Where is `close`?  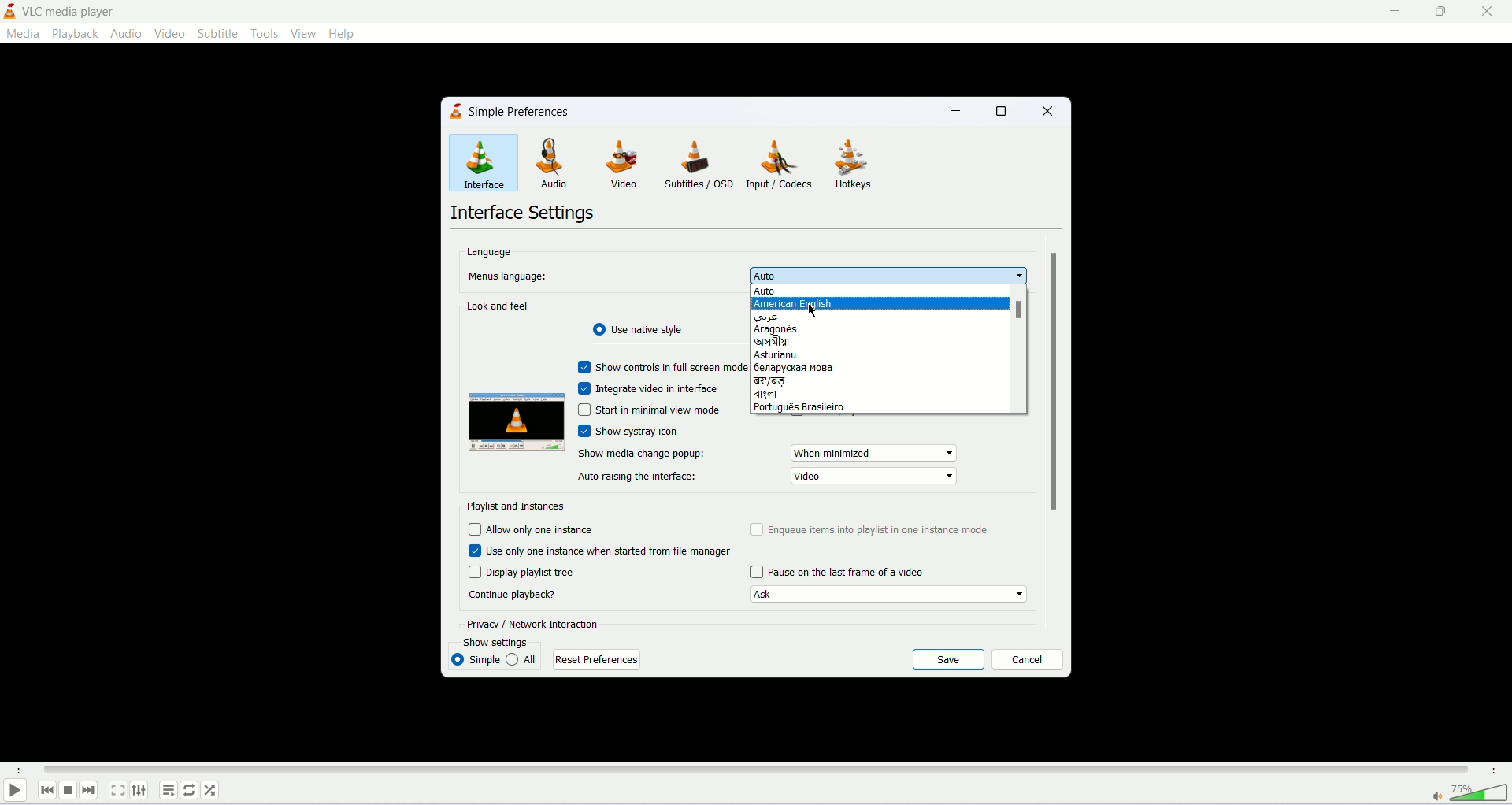
close is located at coordinates (1488, 10).